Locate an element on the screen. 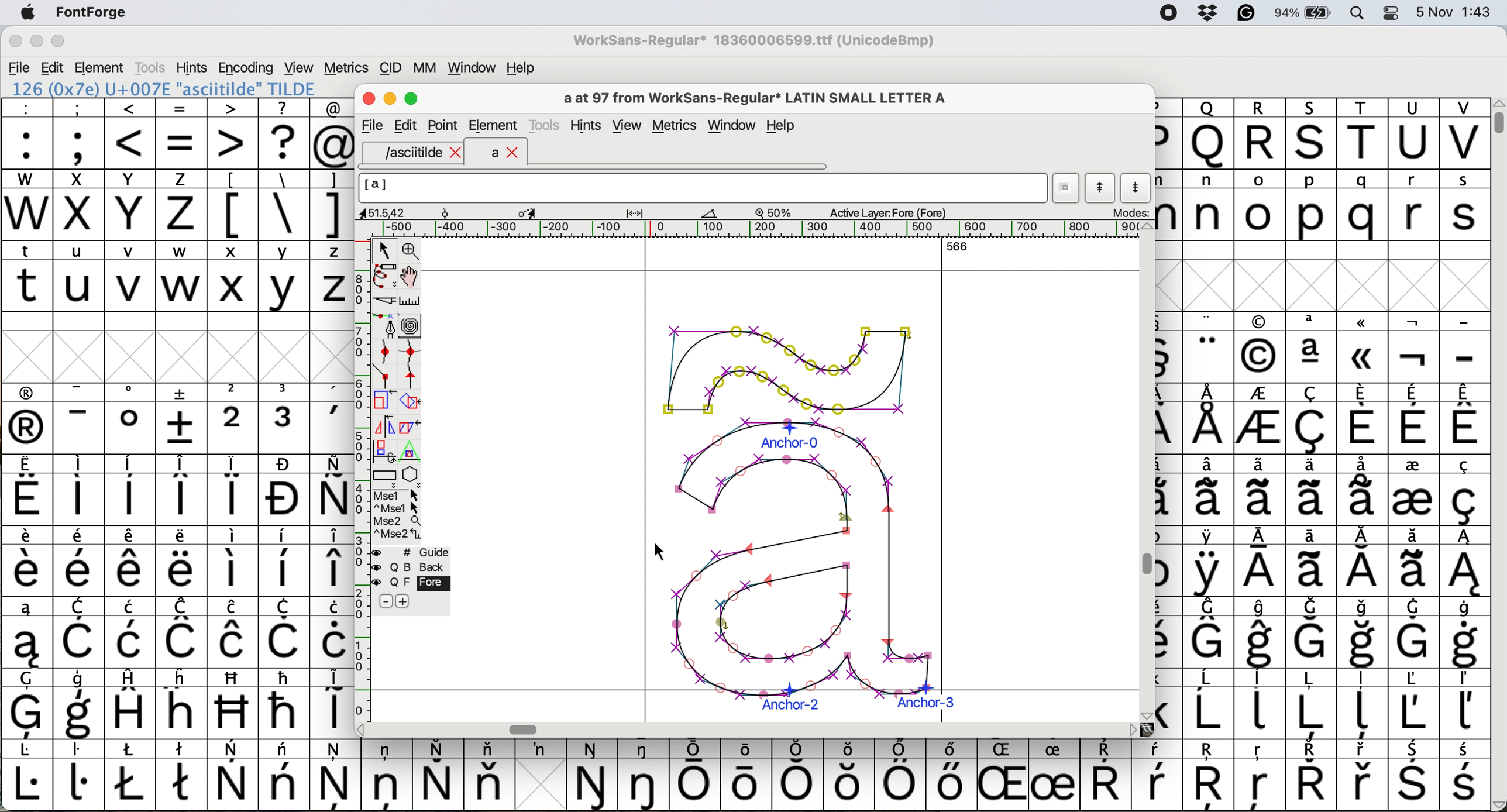 This screenshot has width=1507, height=812. current word list is located at coordinates (1066, 190).